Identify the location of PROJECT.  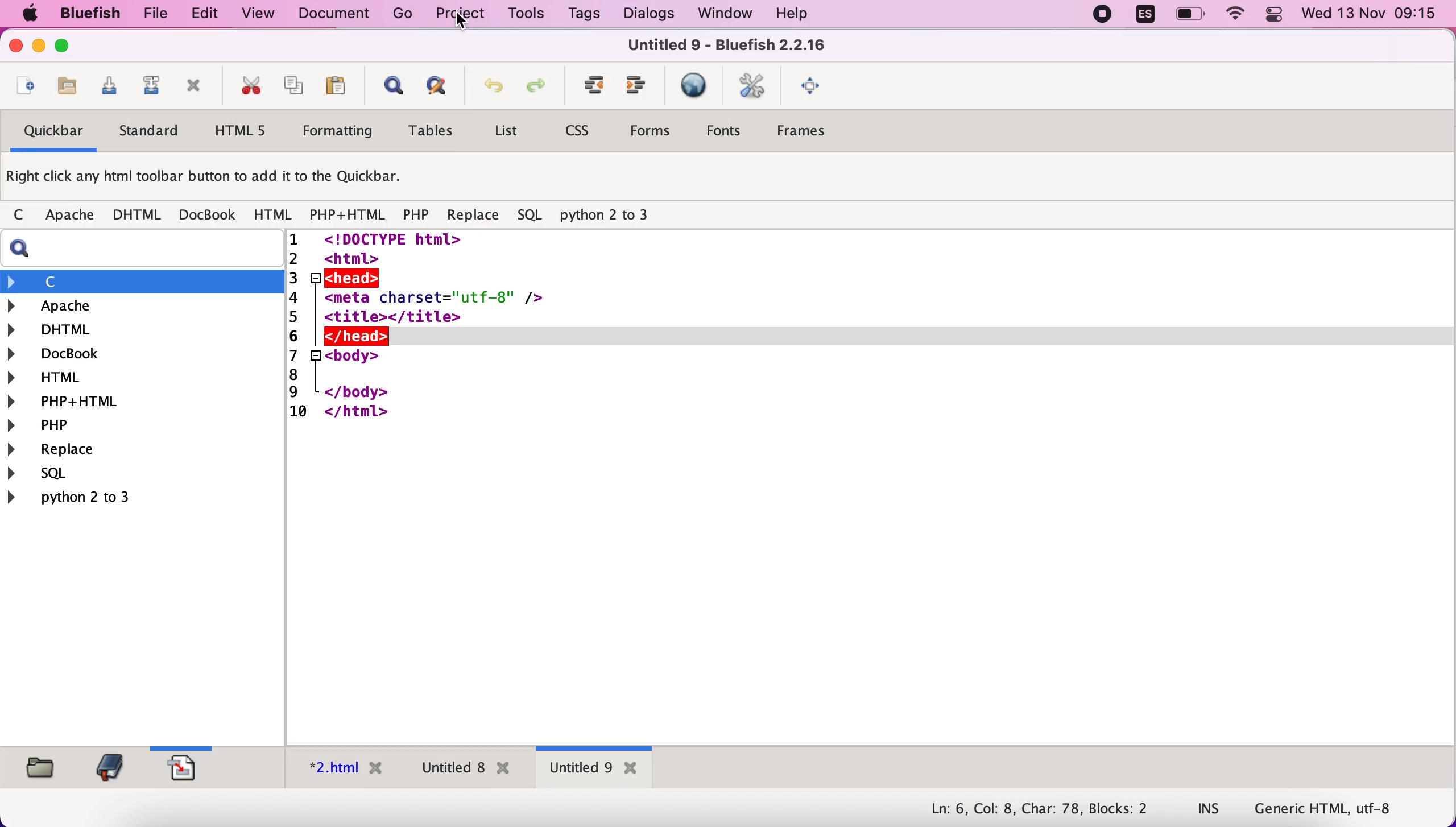
(460, 13).